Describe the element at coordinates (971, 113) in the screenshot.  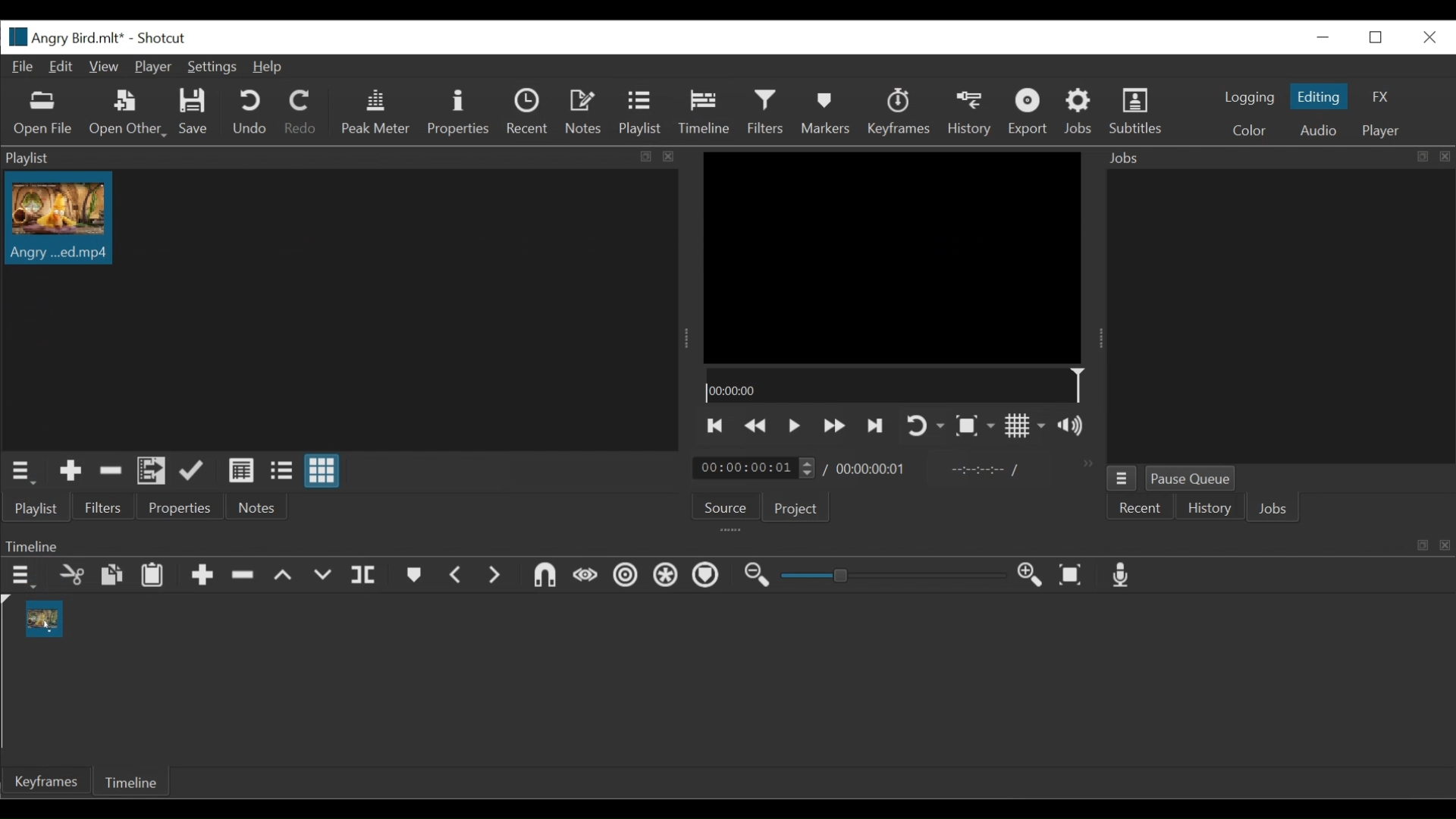
I see `History` at that location.